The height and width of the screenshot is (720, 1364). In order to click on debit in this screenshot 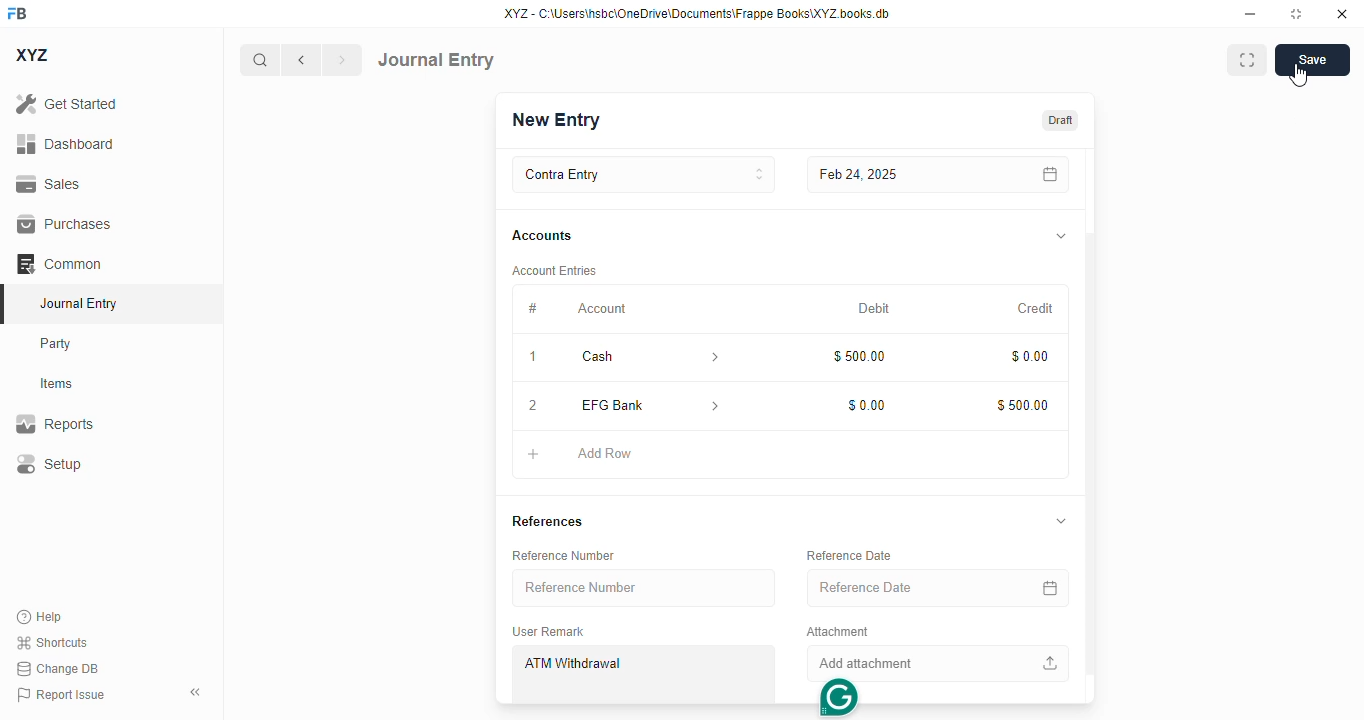, I will do `click(873, 309)`.